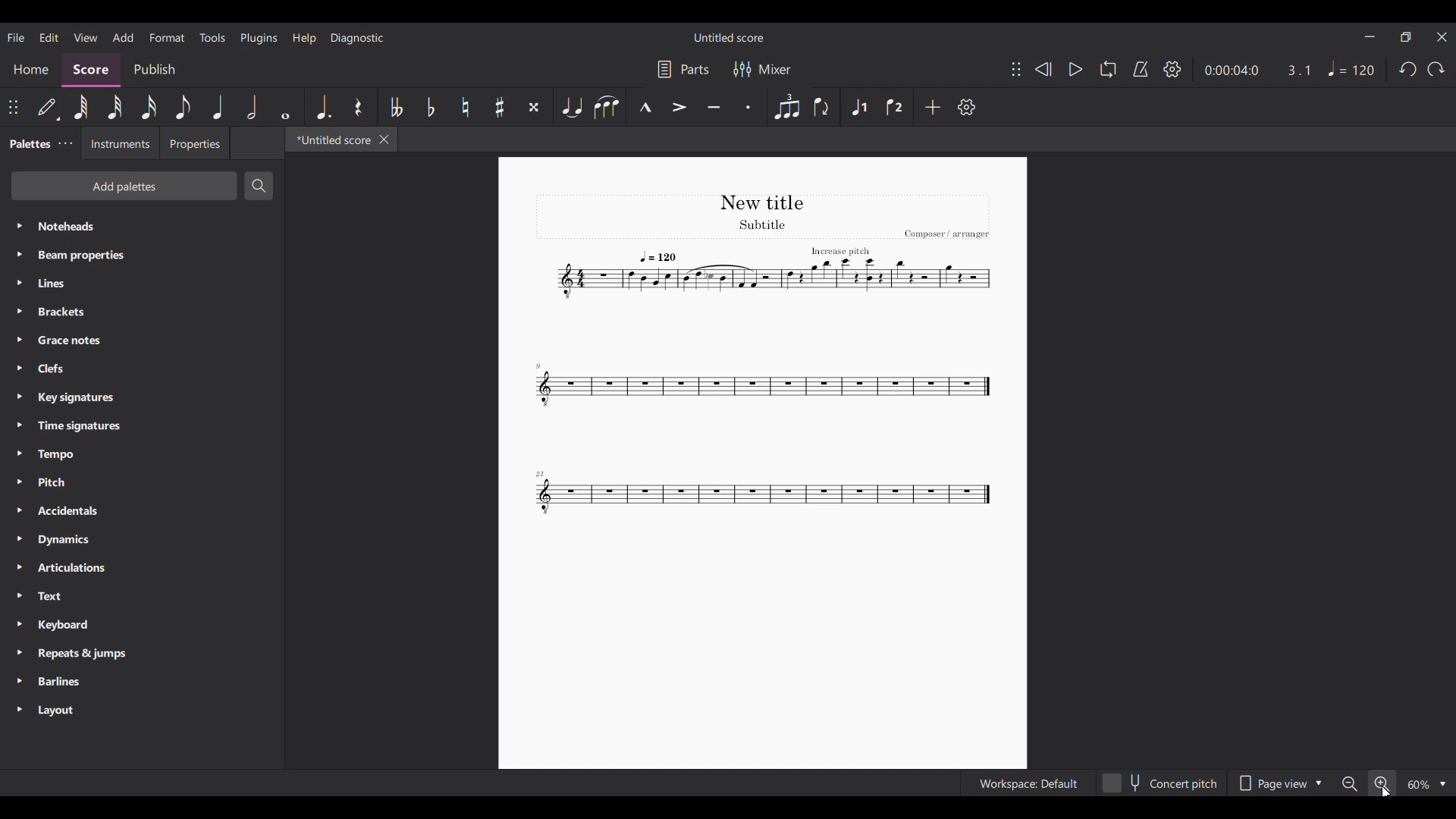  What do you see at coordinates (14, 107) in the screenshot?
I see `Change position` at bounding box center [14, 107].